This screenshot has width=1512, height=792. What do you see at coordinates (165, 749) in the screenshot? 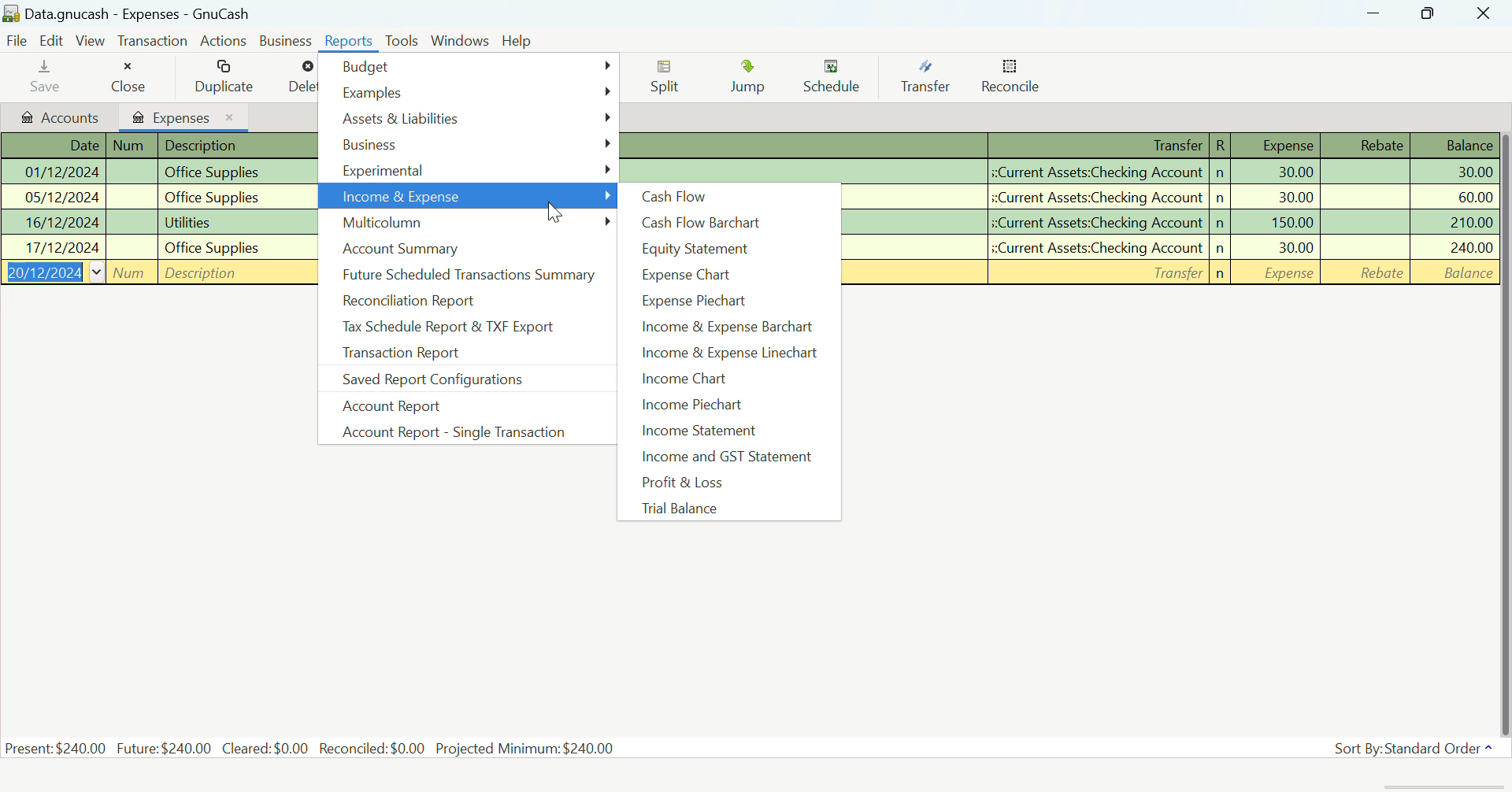
I see `Future` at bounding box center [165, 749].